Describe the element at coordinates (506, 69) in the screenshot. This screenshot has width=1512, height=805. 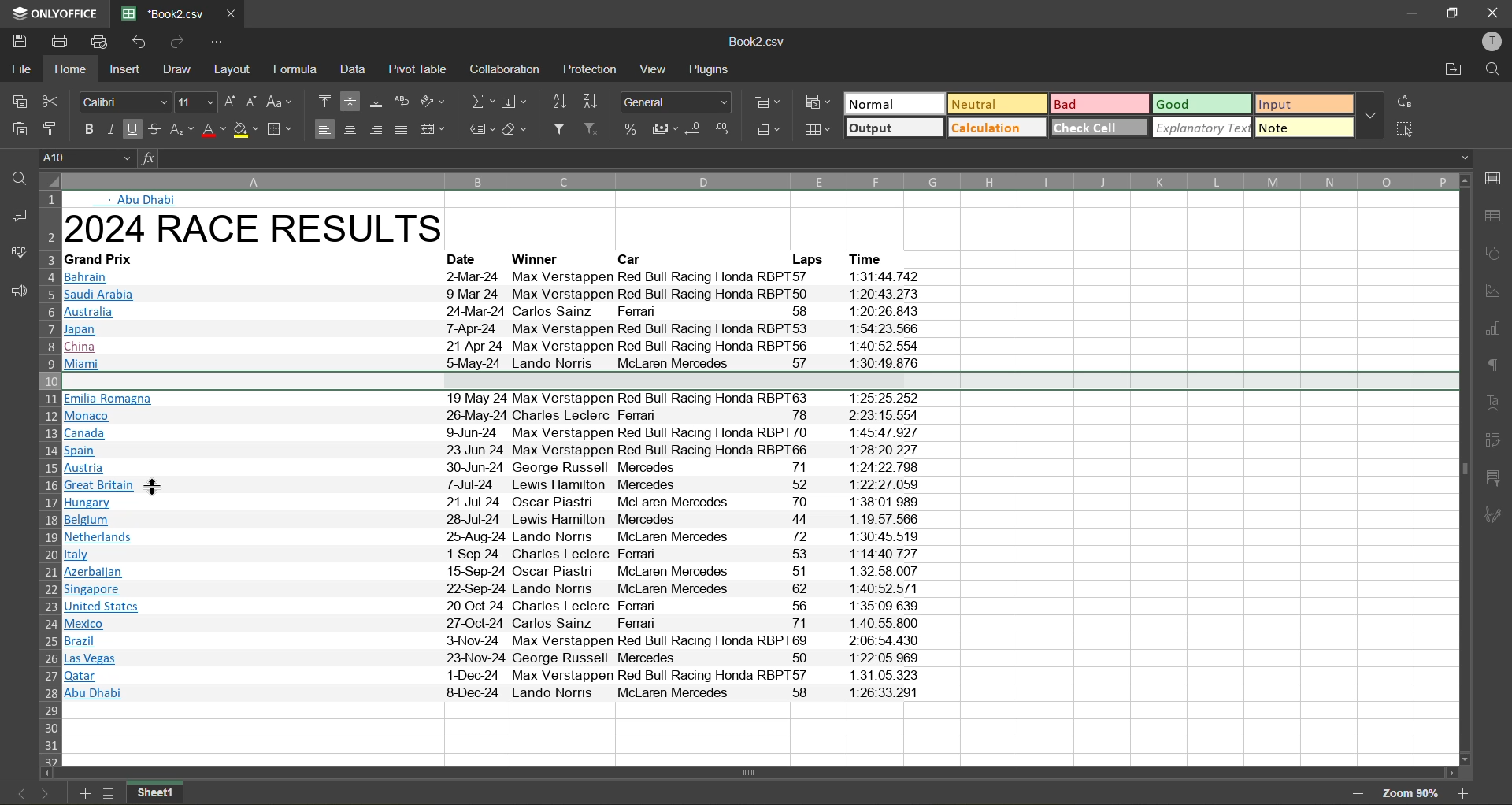
I see `collaboration` at that location.